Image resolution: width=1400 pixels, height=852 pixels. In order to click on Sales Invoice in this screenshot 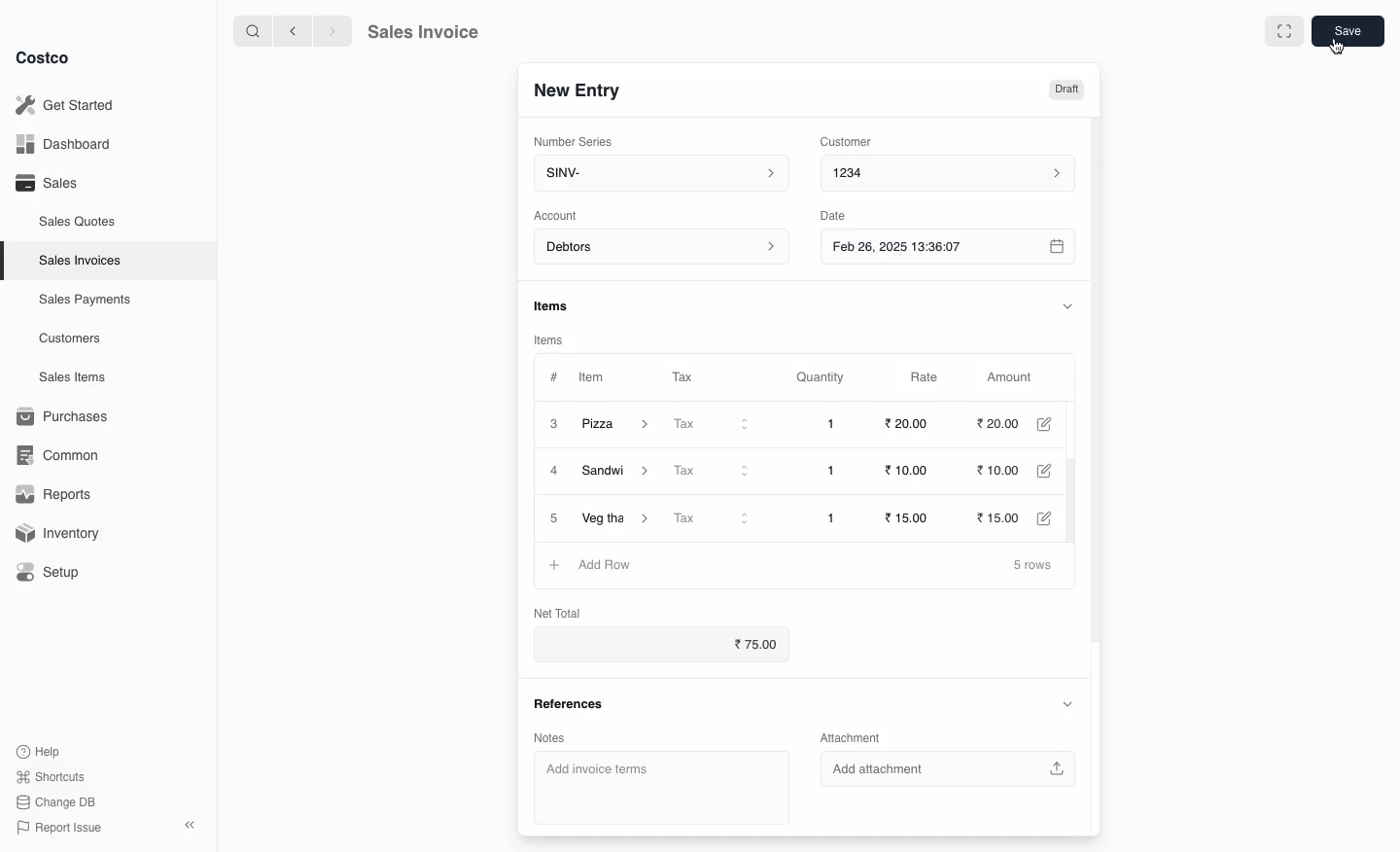, I will do `click(423, 34)`.